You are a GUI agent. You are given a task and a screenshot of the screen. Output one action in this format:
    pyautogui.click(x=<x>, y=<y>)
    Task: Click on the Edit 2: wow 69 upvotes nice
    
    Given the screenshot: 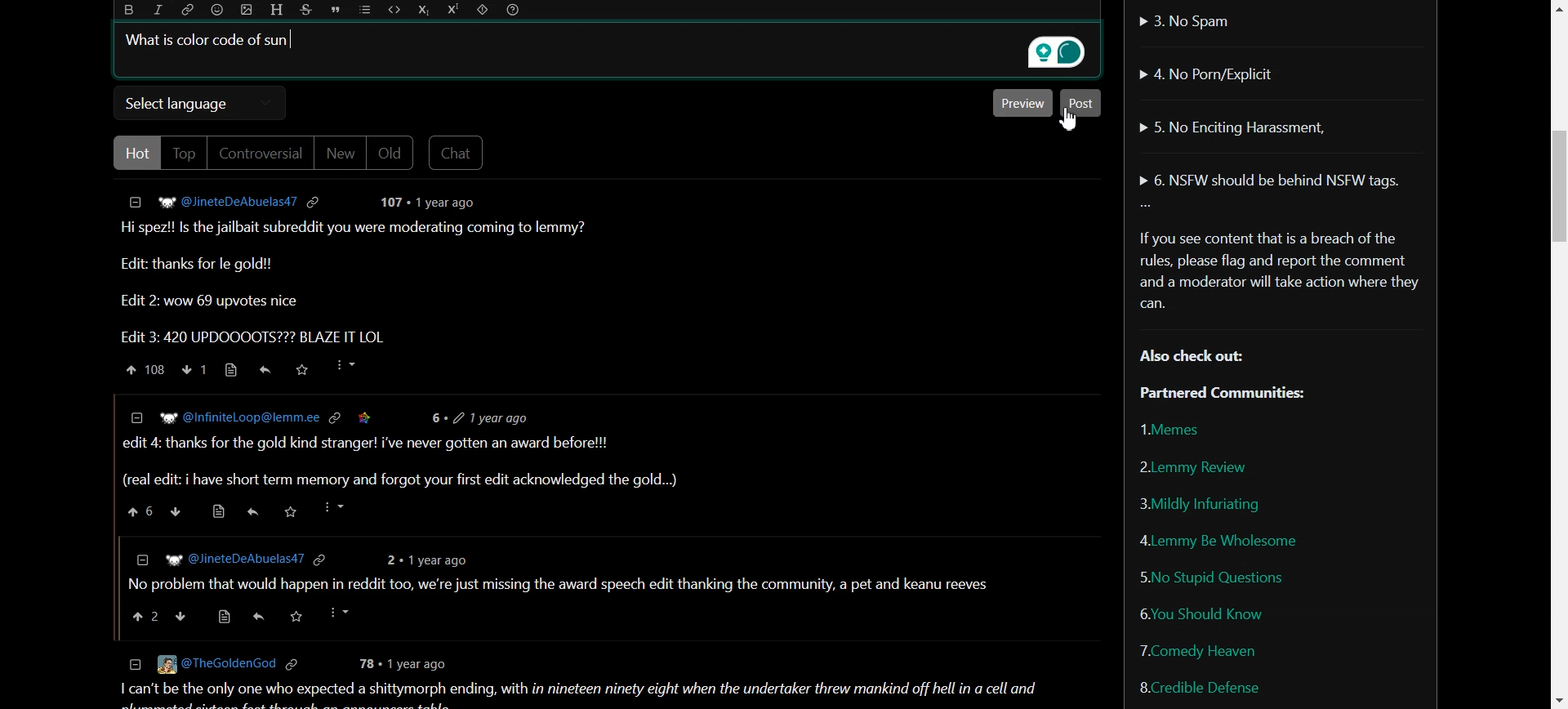 What is the action you would take?
    pyautogui.click(x=243, y=301)
    